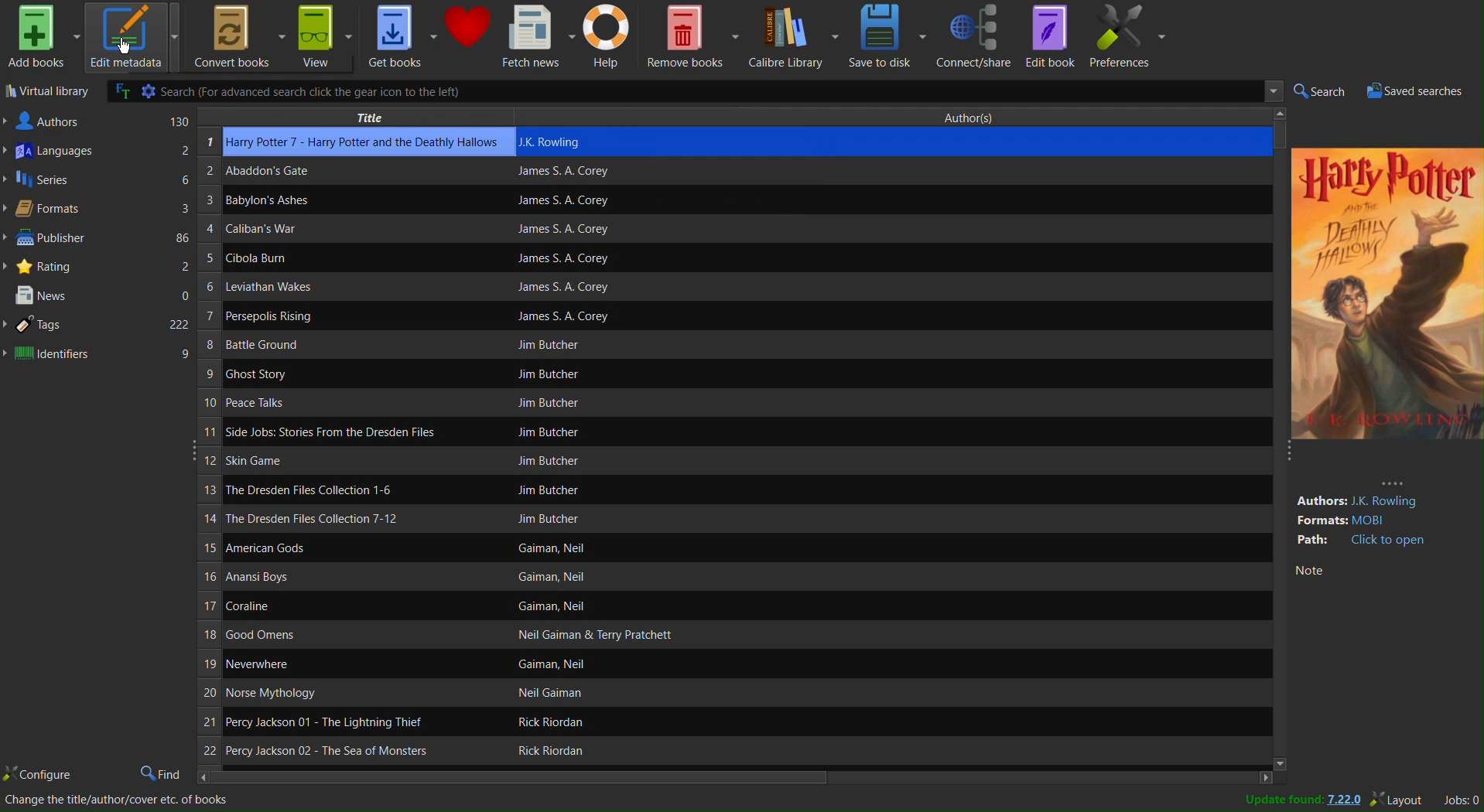 The image size is (1484, 812). I want to click on Title, so click(358, 117).